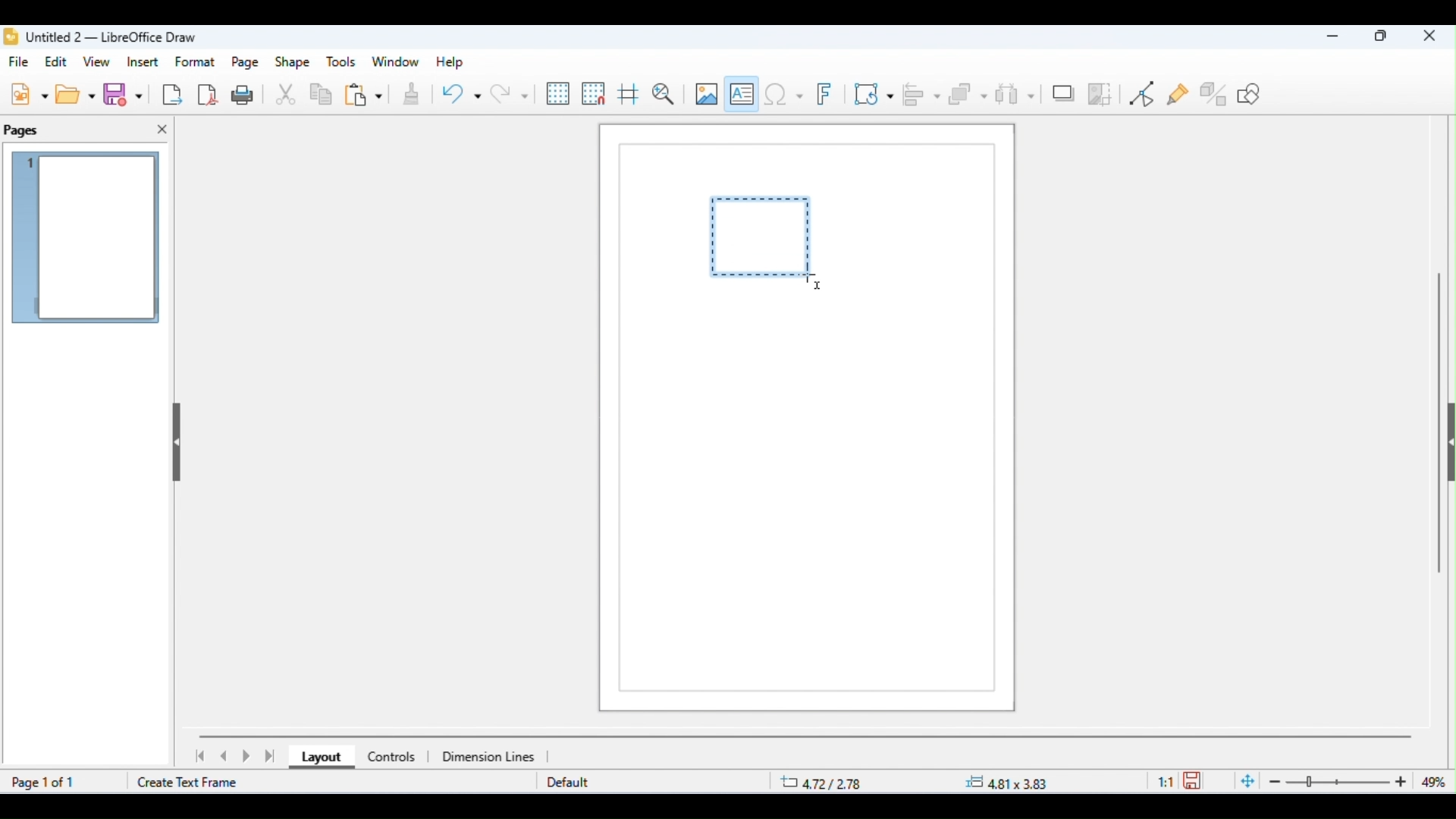 The image size is (1456, 819). I want to click on how draw functions, so click(1250, 93).